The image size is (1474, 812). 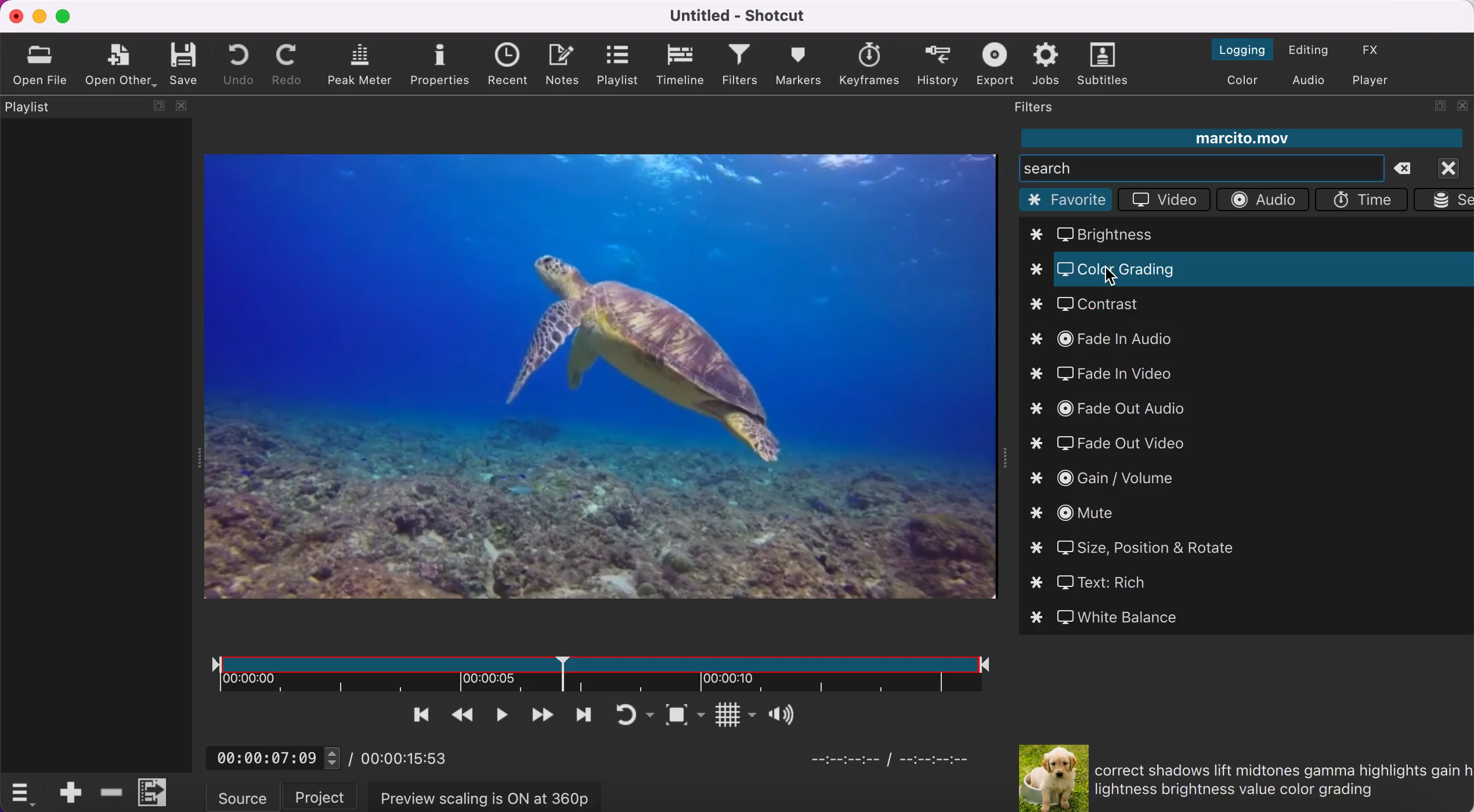 I want to click on sets, so click(x=1444, y=200).